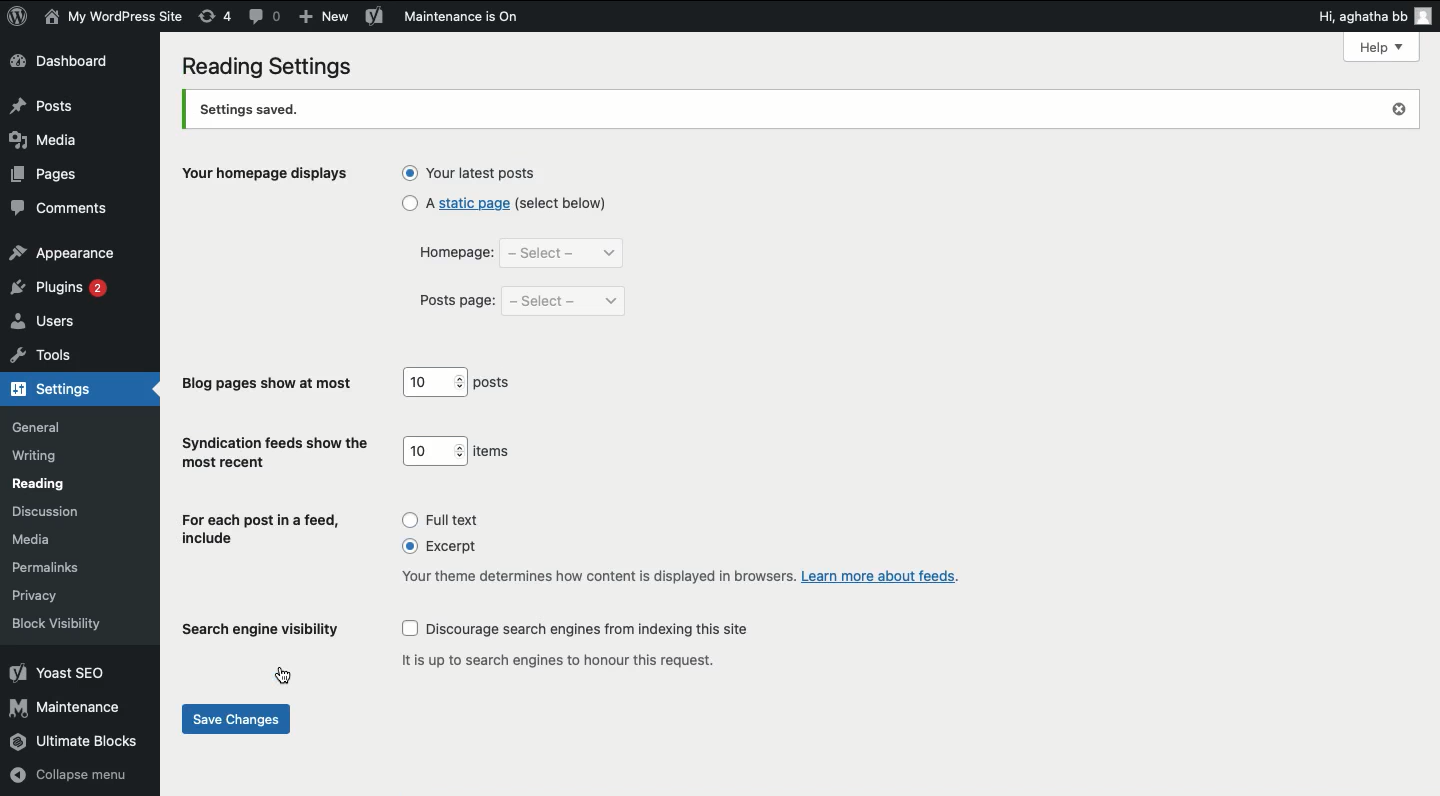  I want to click on homepage, so click(457, 254).